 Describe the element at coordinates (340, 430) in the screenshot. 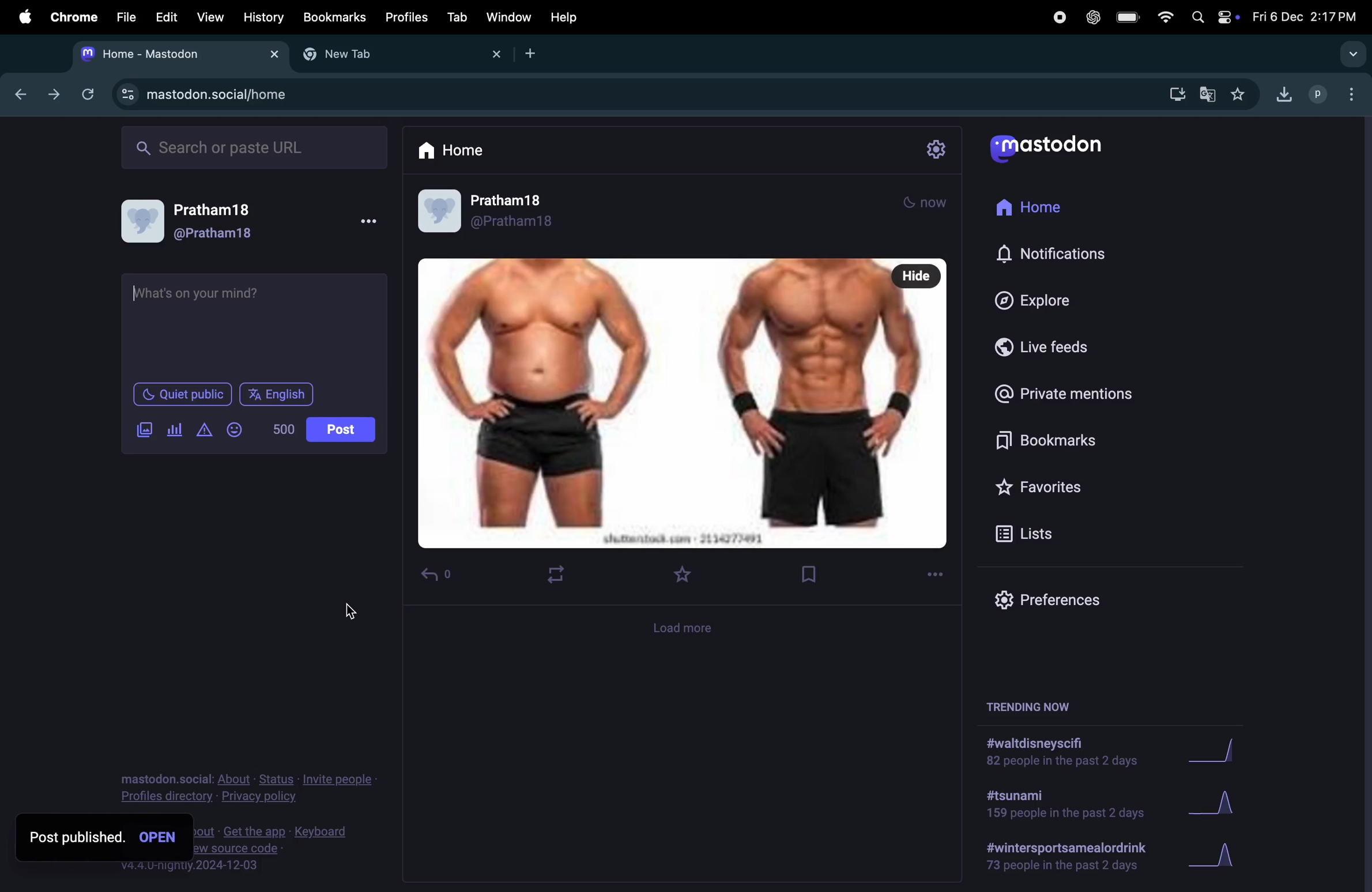

I see `post` at that location.